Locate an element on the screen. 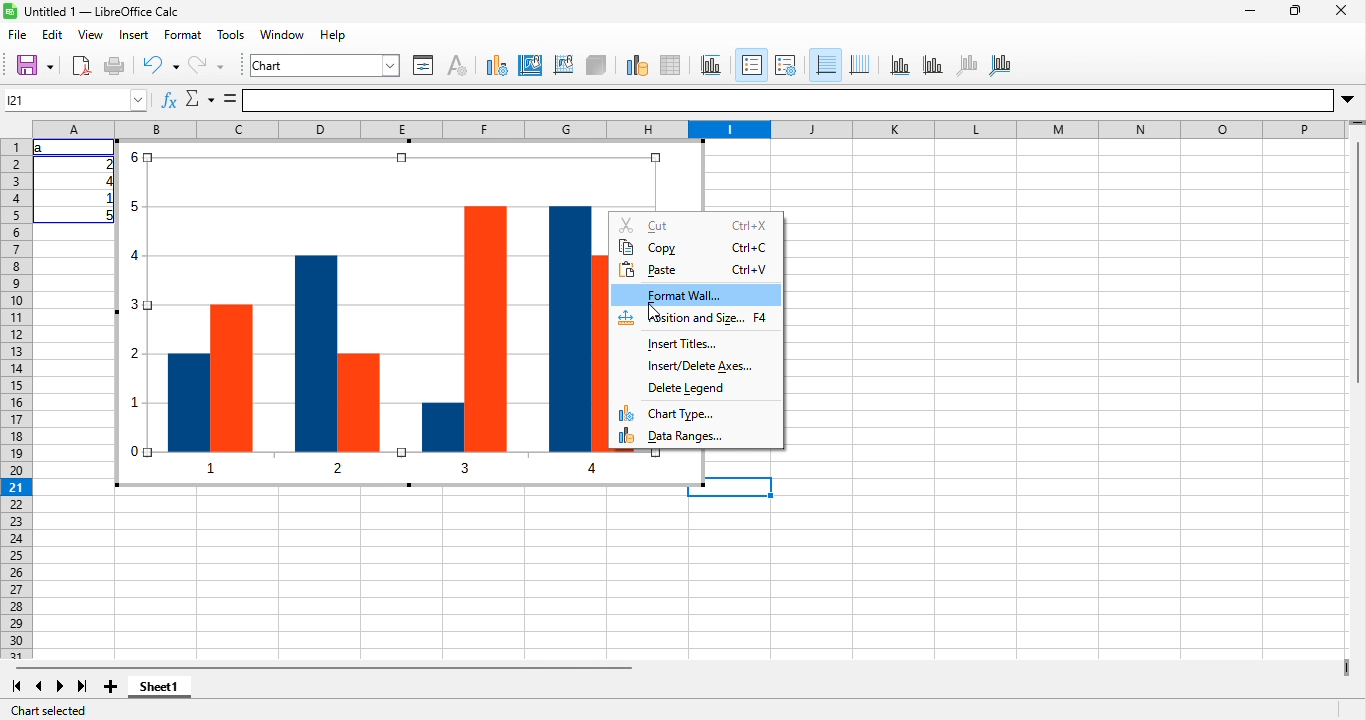  chat type is located at coordinates (696, 413).